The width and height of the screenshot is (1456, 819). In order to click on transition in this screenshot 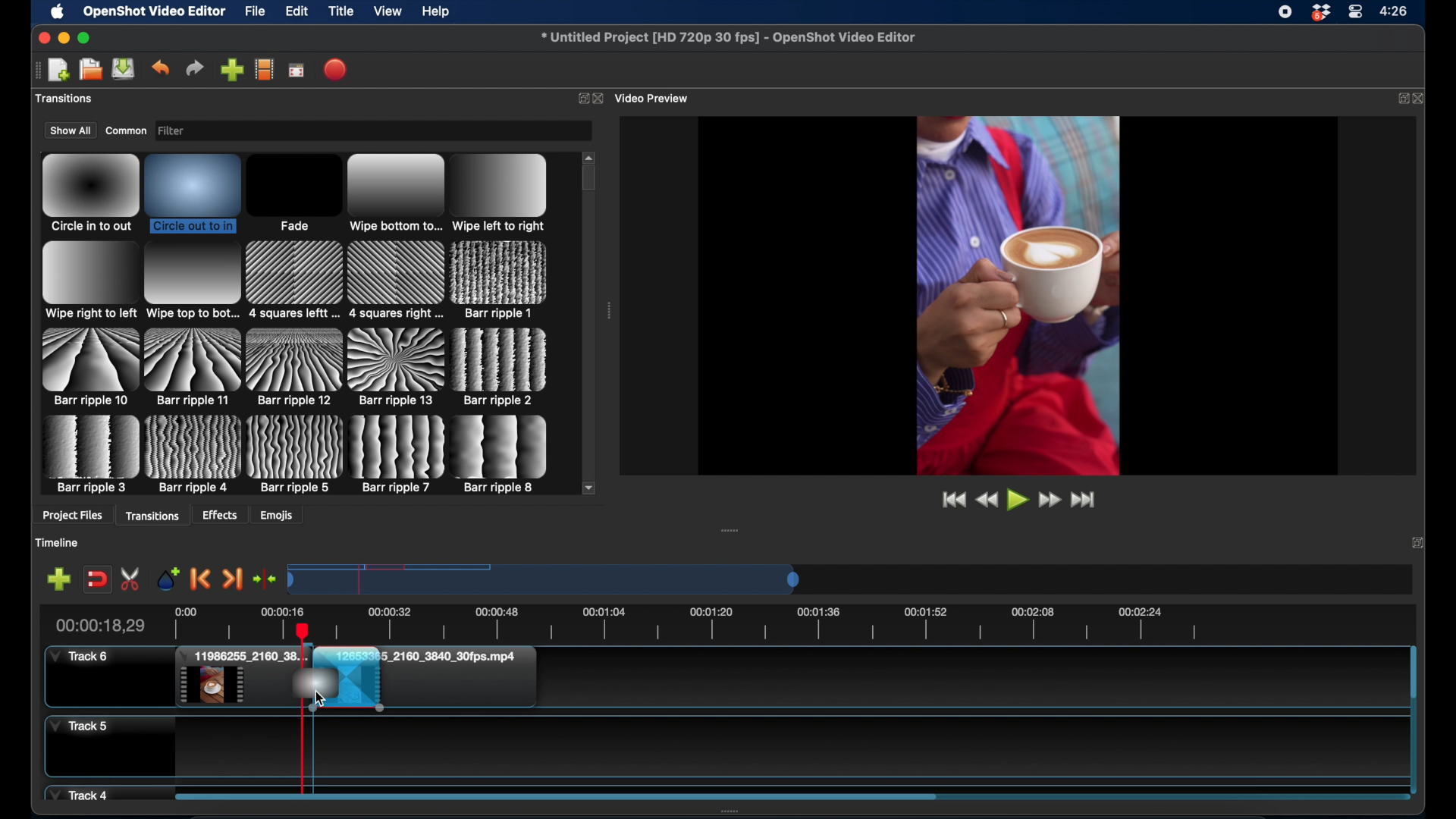, I will do `click(502, 454)`.